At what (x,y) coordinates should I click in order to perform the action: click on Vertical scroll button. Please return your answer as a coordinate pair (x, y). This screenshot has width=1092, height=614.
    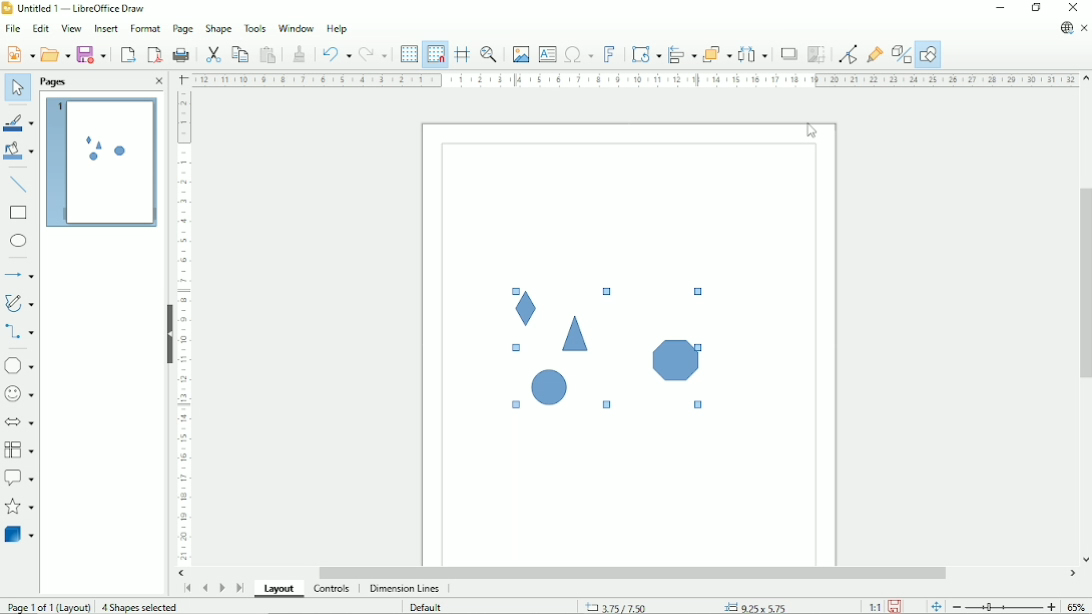
    Looking at the image, I should click on (1085, 559).